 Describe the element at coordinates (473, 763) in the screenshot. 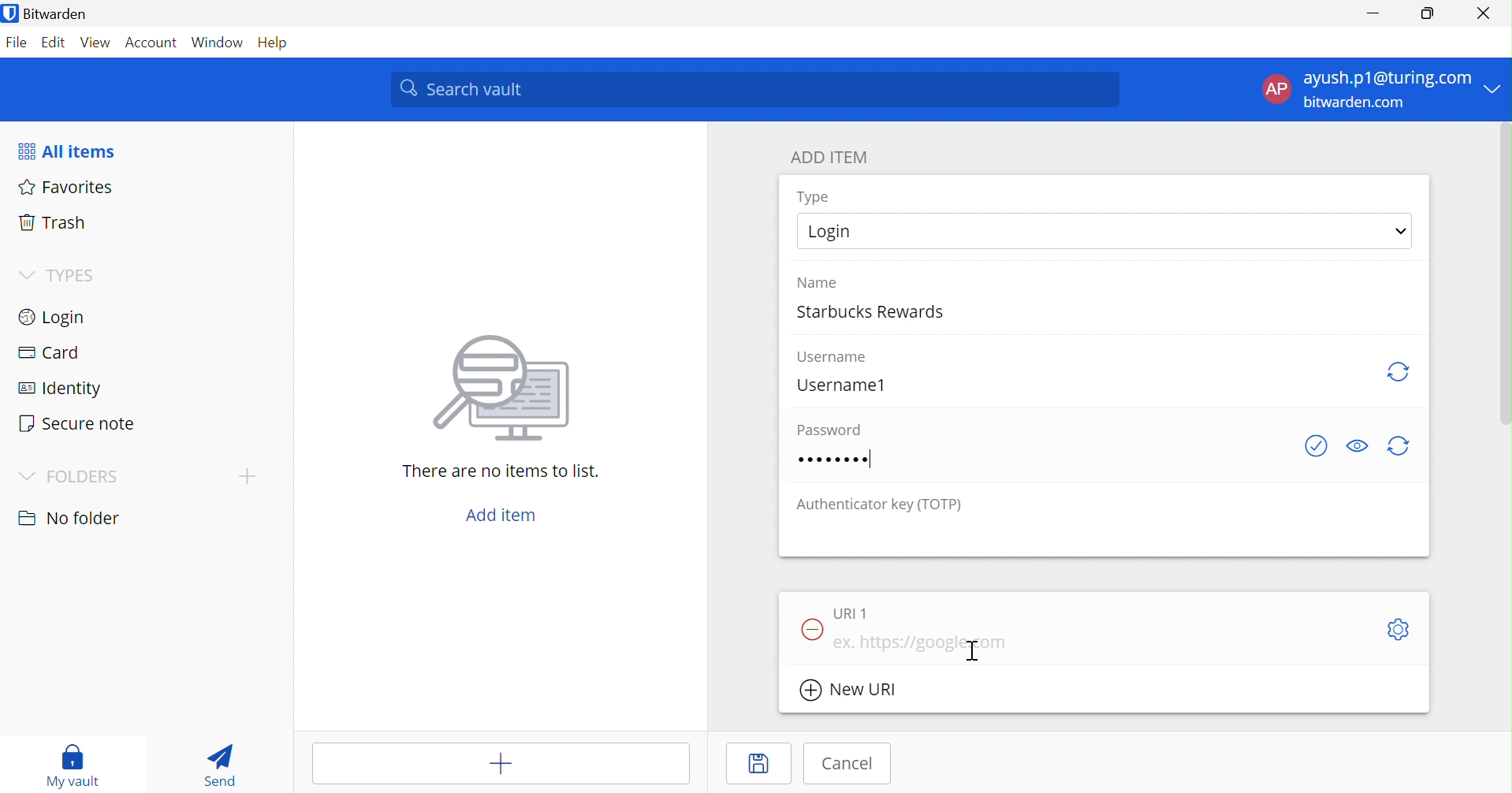

I see `Add item` at that location.